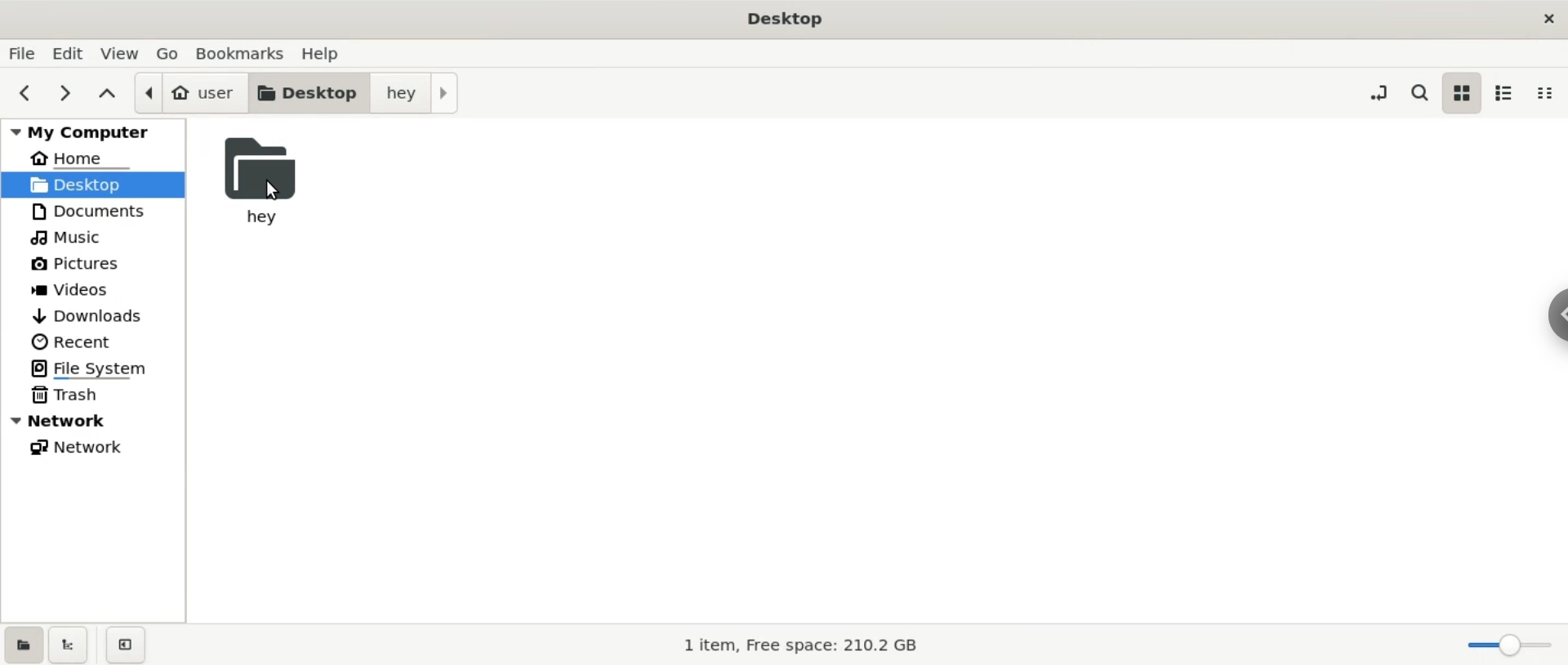  What do you see at coordinates (65, 94) in the screenshot?
I see `next` at bounding box center [65, 94].